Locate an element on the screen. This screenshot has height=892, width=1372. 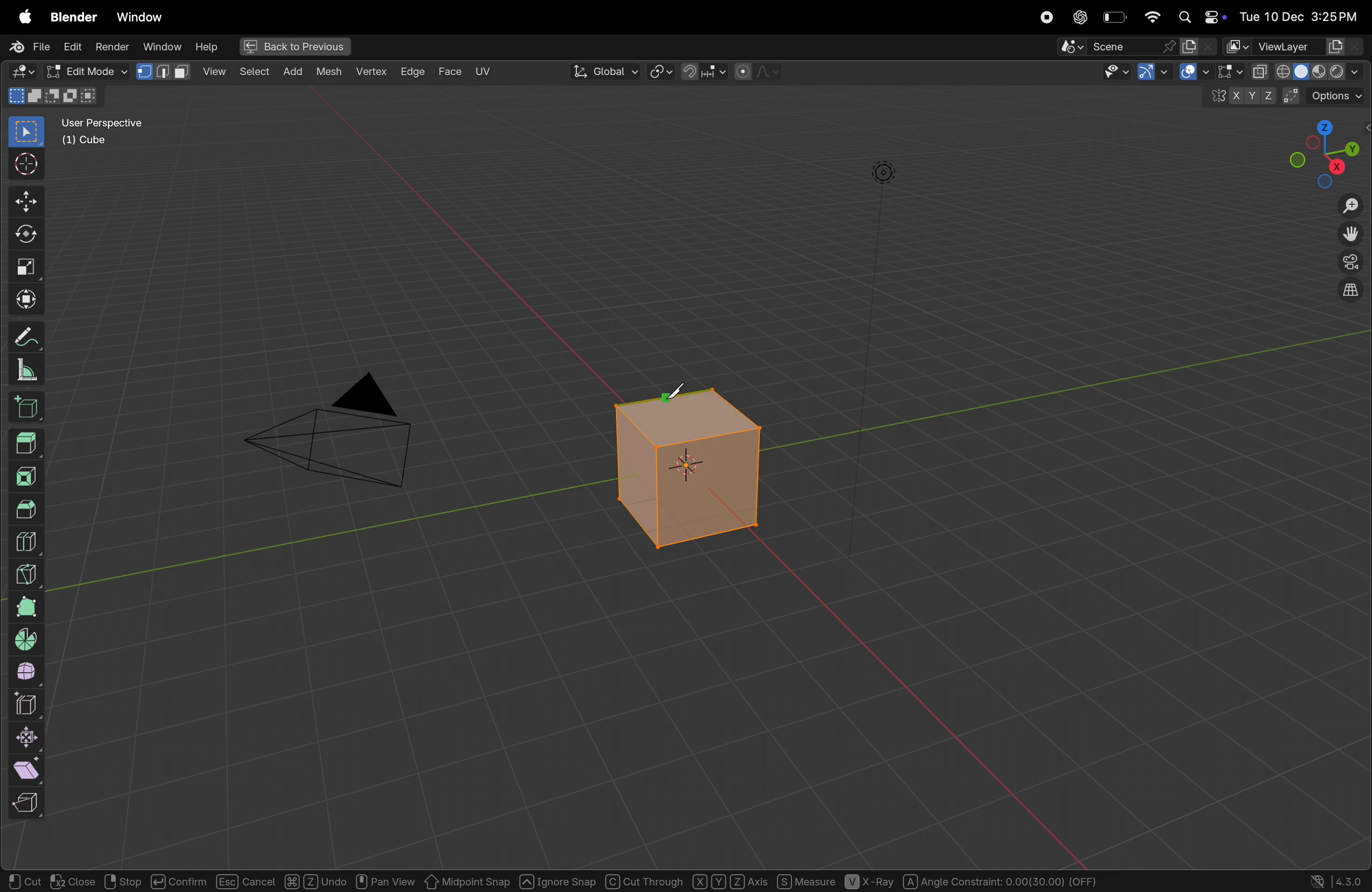
Object is located at coordinates (295, 70).